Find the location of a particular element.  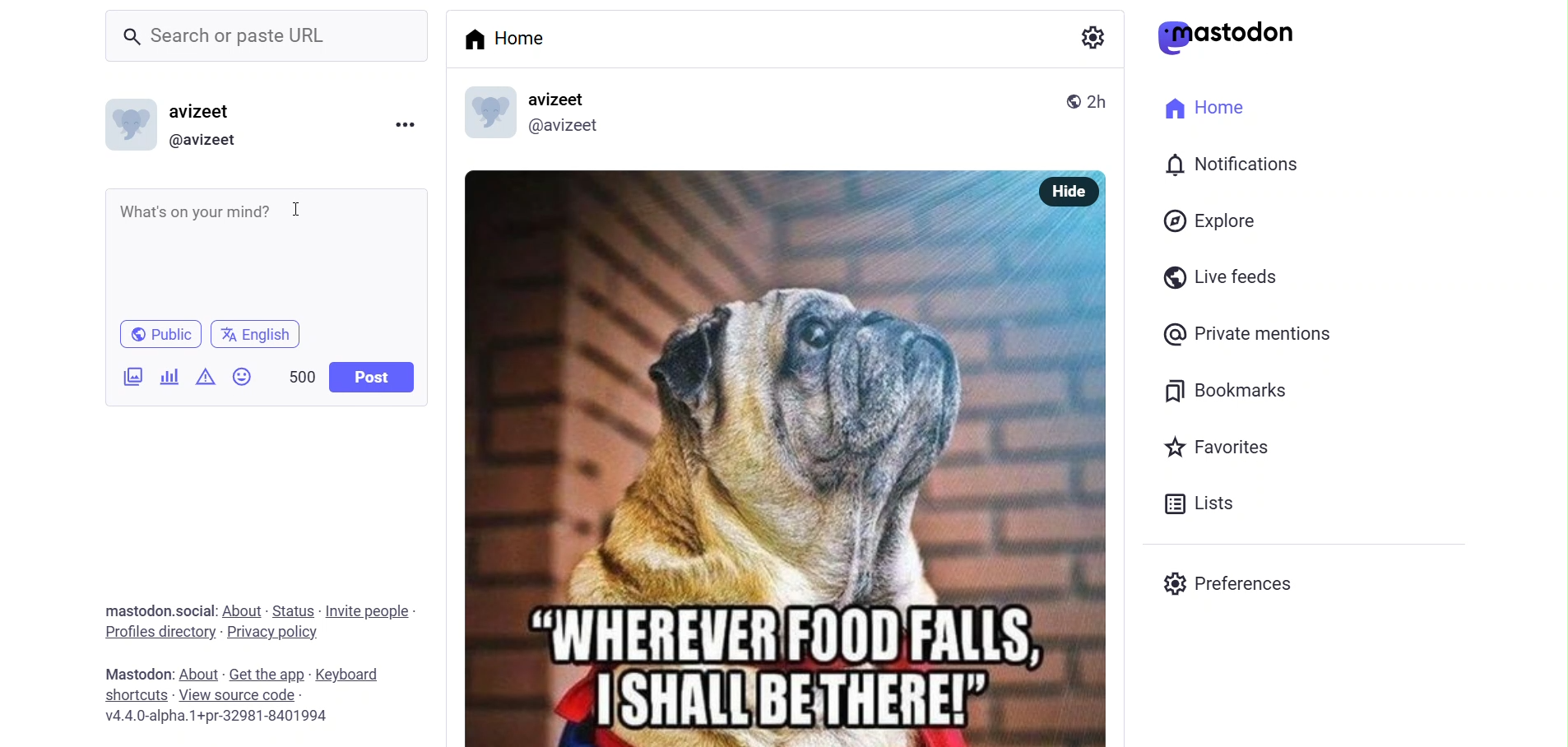

hide is located at coordinates (1068, 191).